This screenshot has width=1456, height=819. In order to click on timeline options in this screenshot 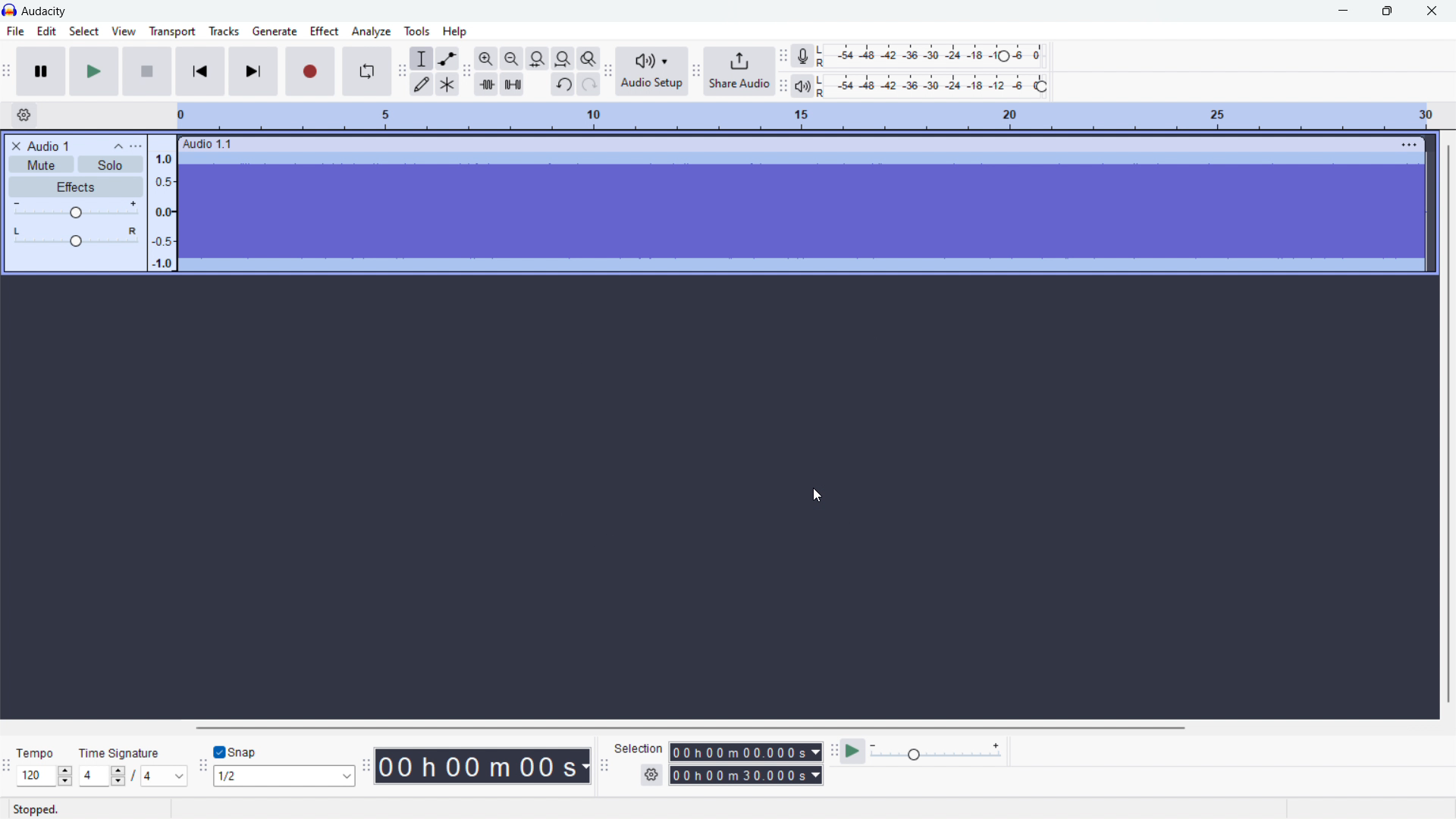, I will do `click(25, 116)`.